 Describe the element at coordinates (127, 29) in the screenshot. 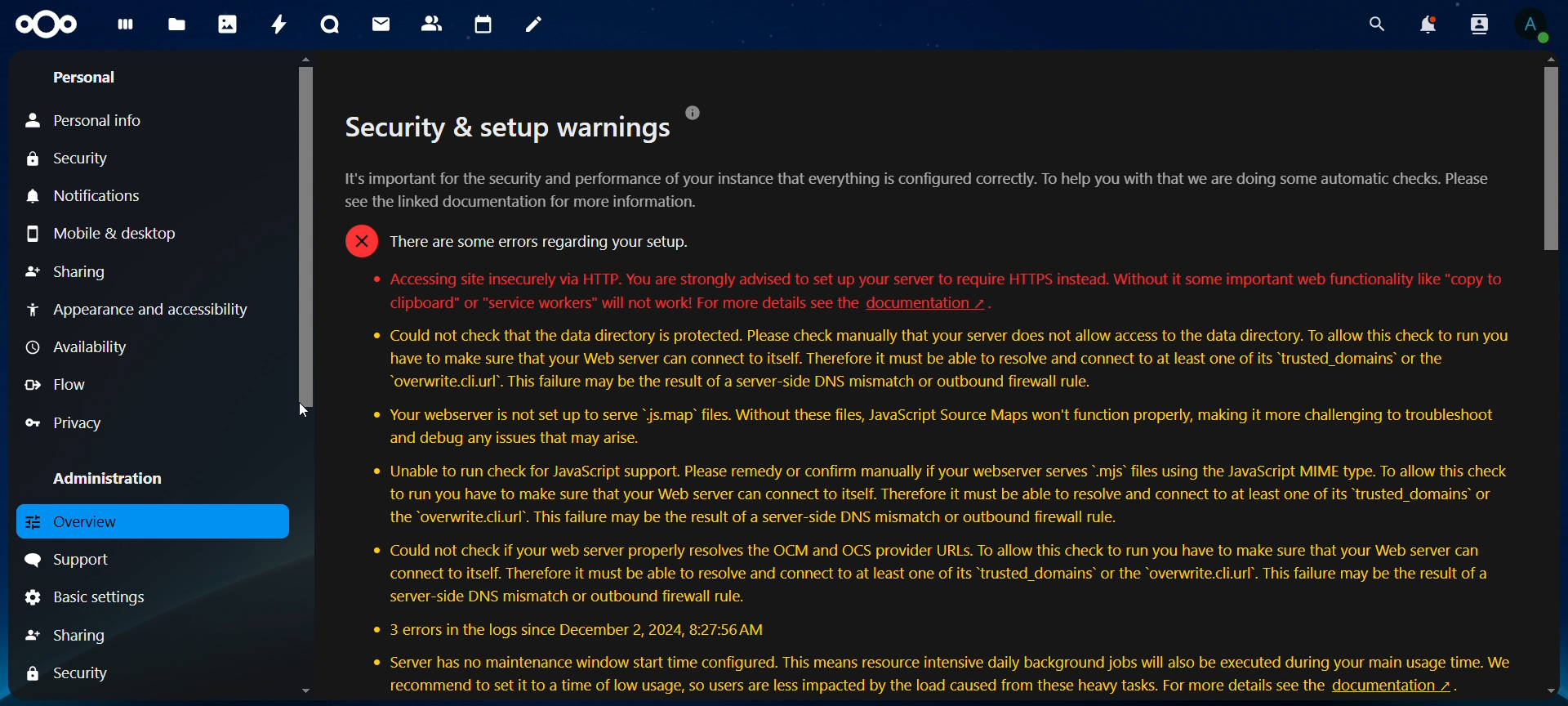

I see `dashboard` at that location.